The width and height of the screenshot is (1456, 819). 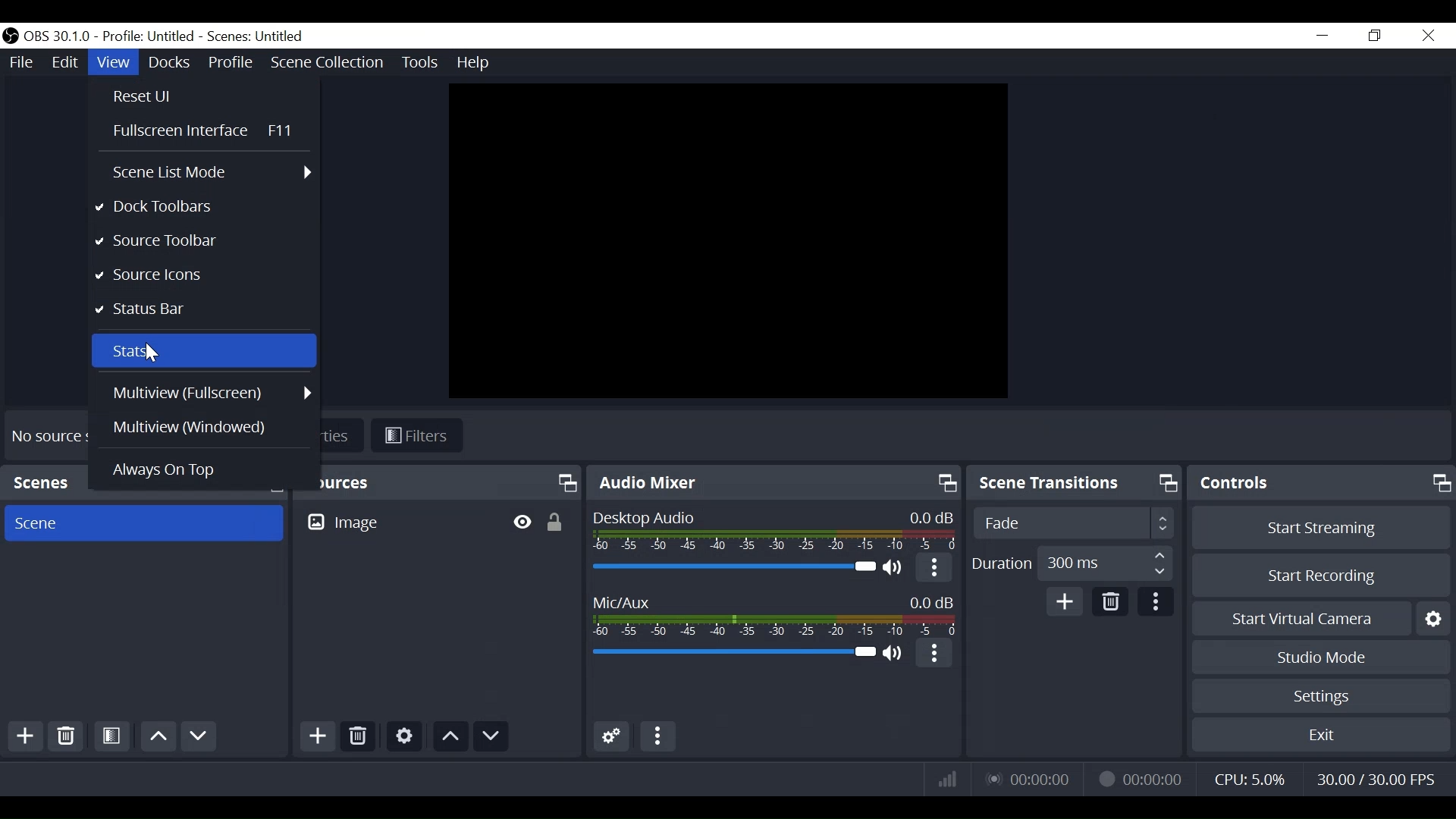 I want to click on Scene List Mode, so click(x=212, y=171).